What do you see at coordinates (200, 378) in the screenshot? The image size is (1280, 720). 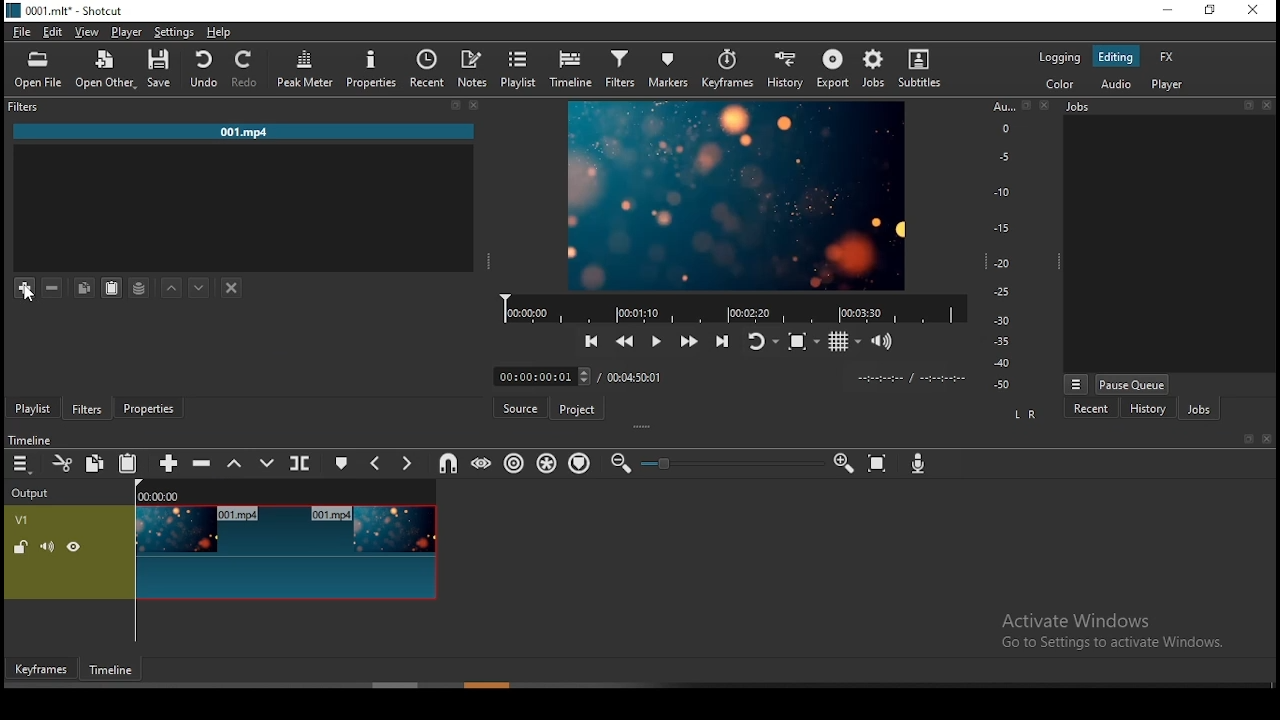 I see `view as details` at bounding box center [200, 378].